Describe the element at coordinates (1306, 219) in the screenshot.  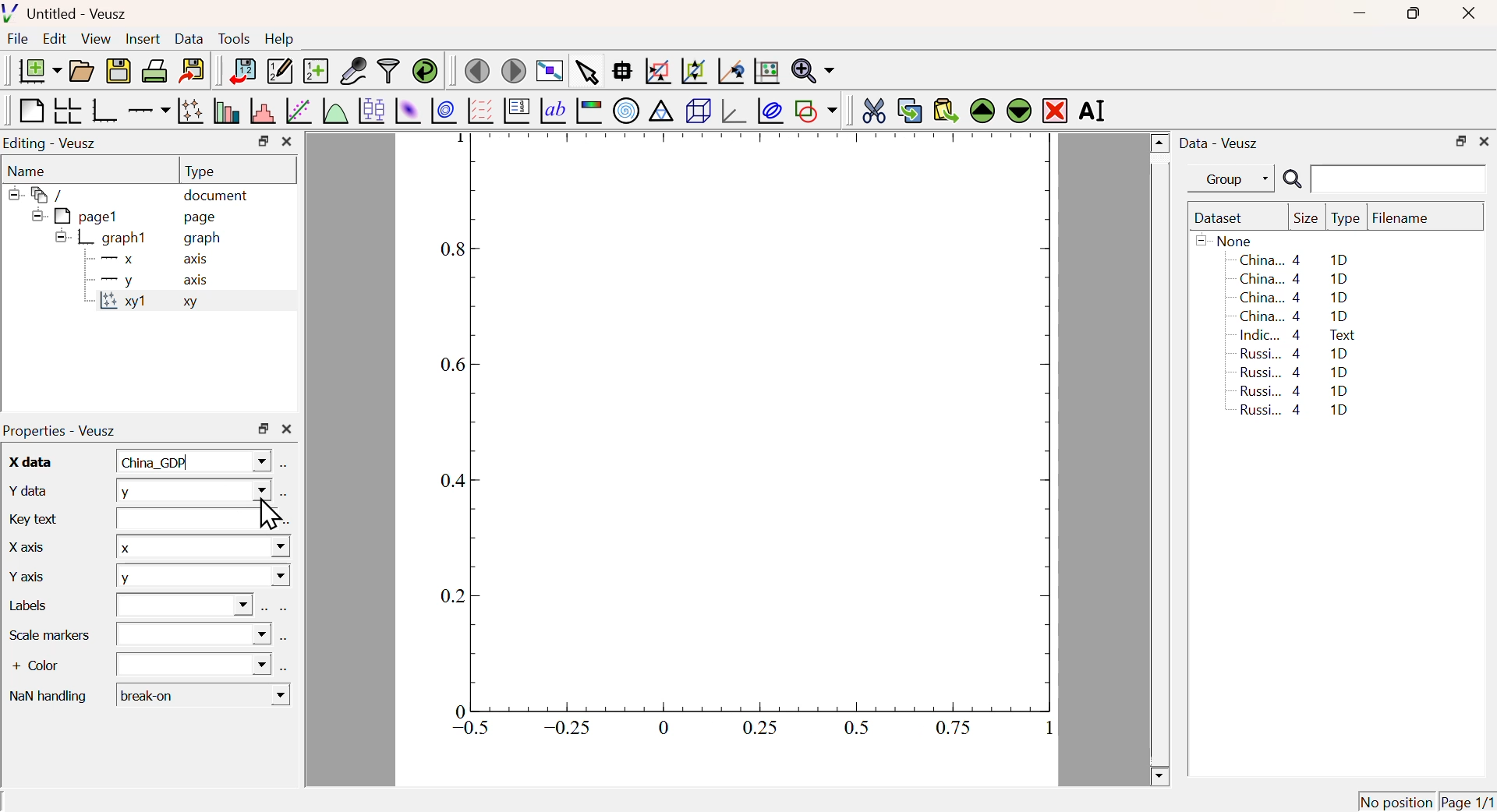
I see `Size` at that location.